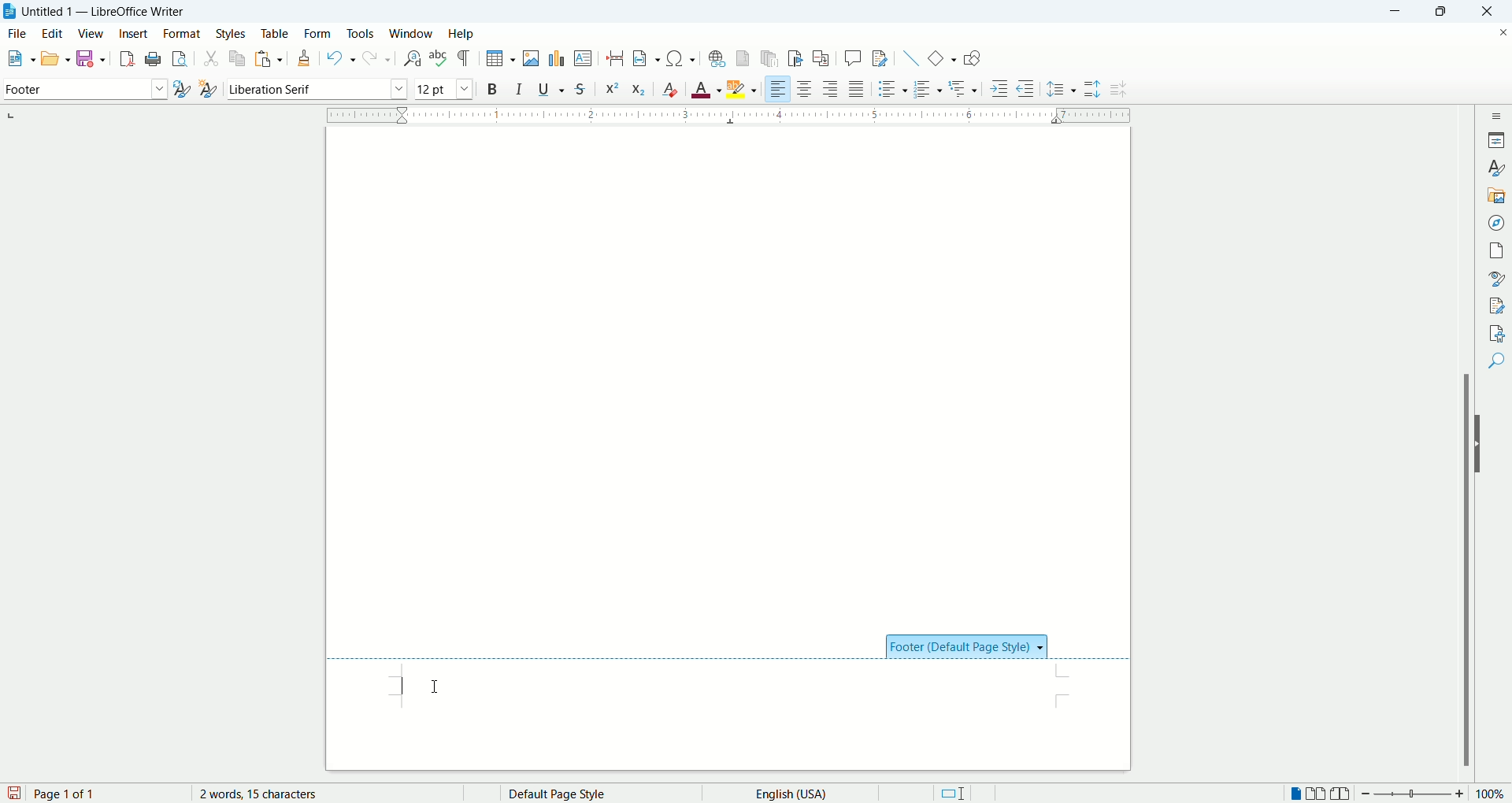  Describe the element at coordinates (1492, 795) in the screenshot. I see `zoom percent` at that location.